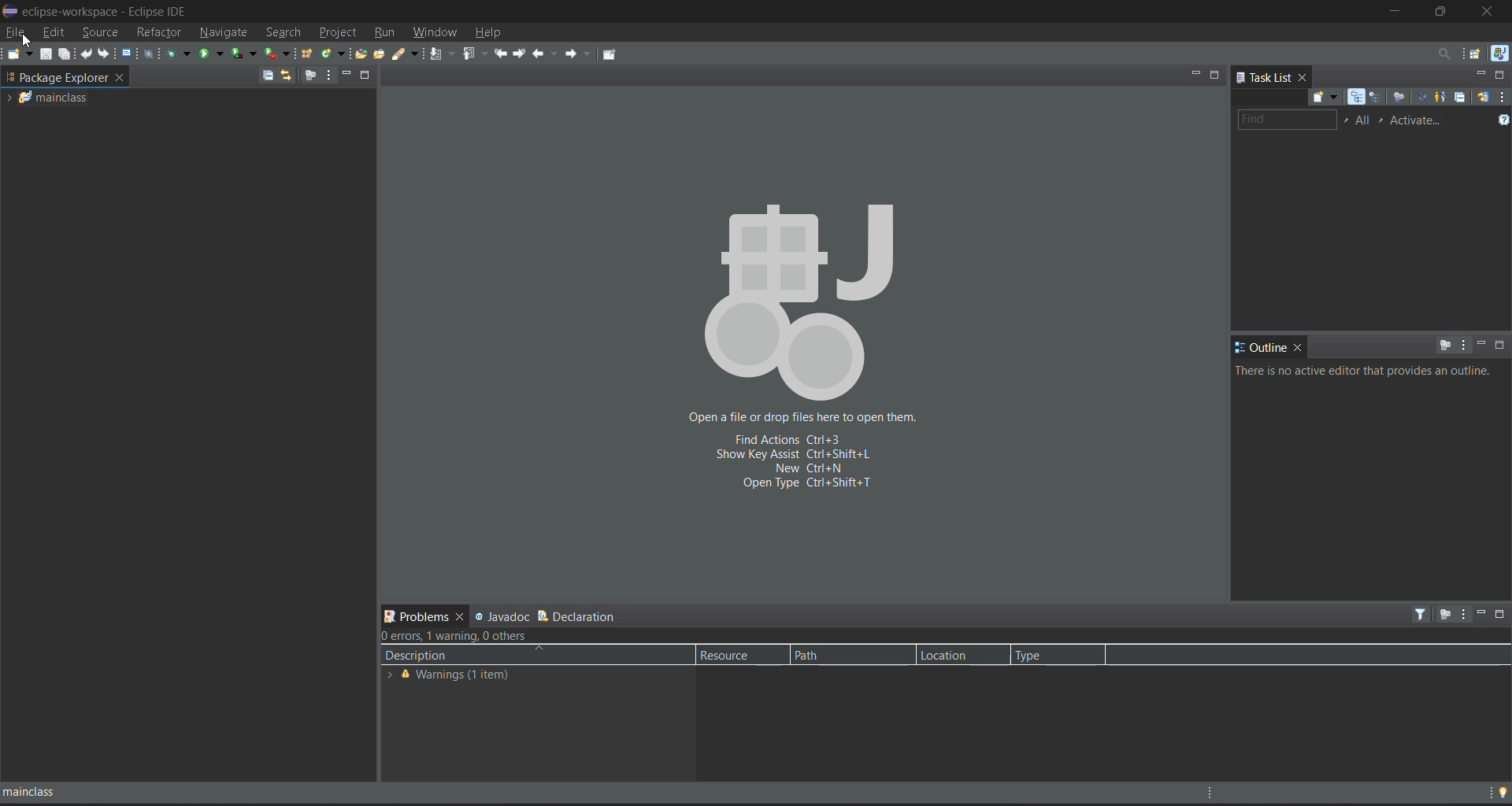 The height and width of the screenshot is (806, 1512). I want to click on skip all breakpoints, so click(150, 55).